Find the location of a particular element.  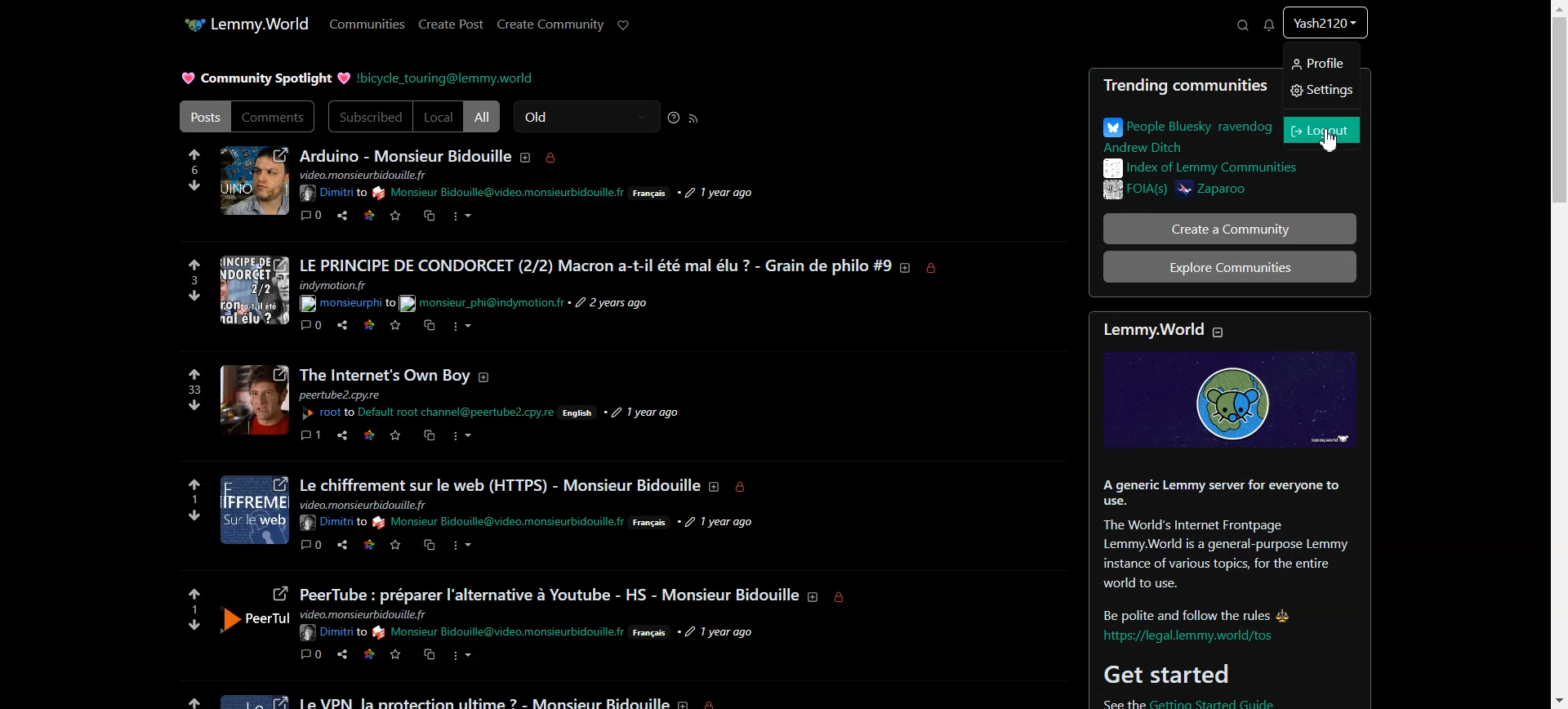

about is located at coordinates (686, 702).